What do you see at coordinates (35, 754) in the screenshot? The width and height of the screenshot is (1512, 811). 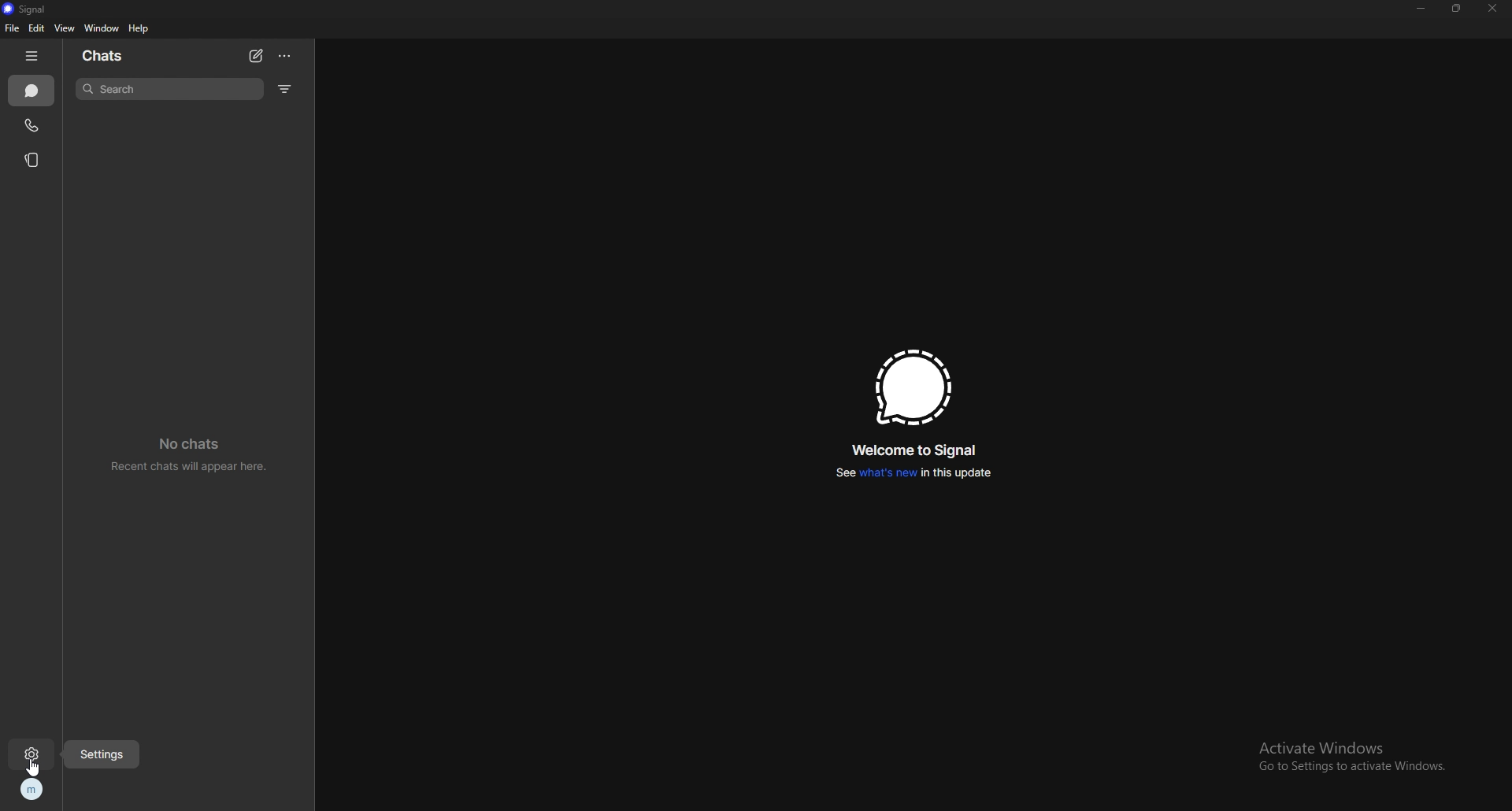 I see `settings` at bounding box center [35, 754].